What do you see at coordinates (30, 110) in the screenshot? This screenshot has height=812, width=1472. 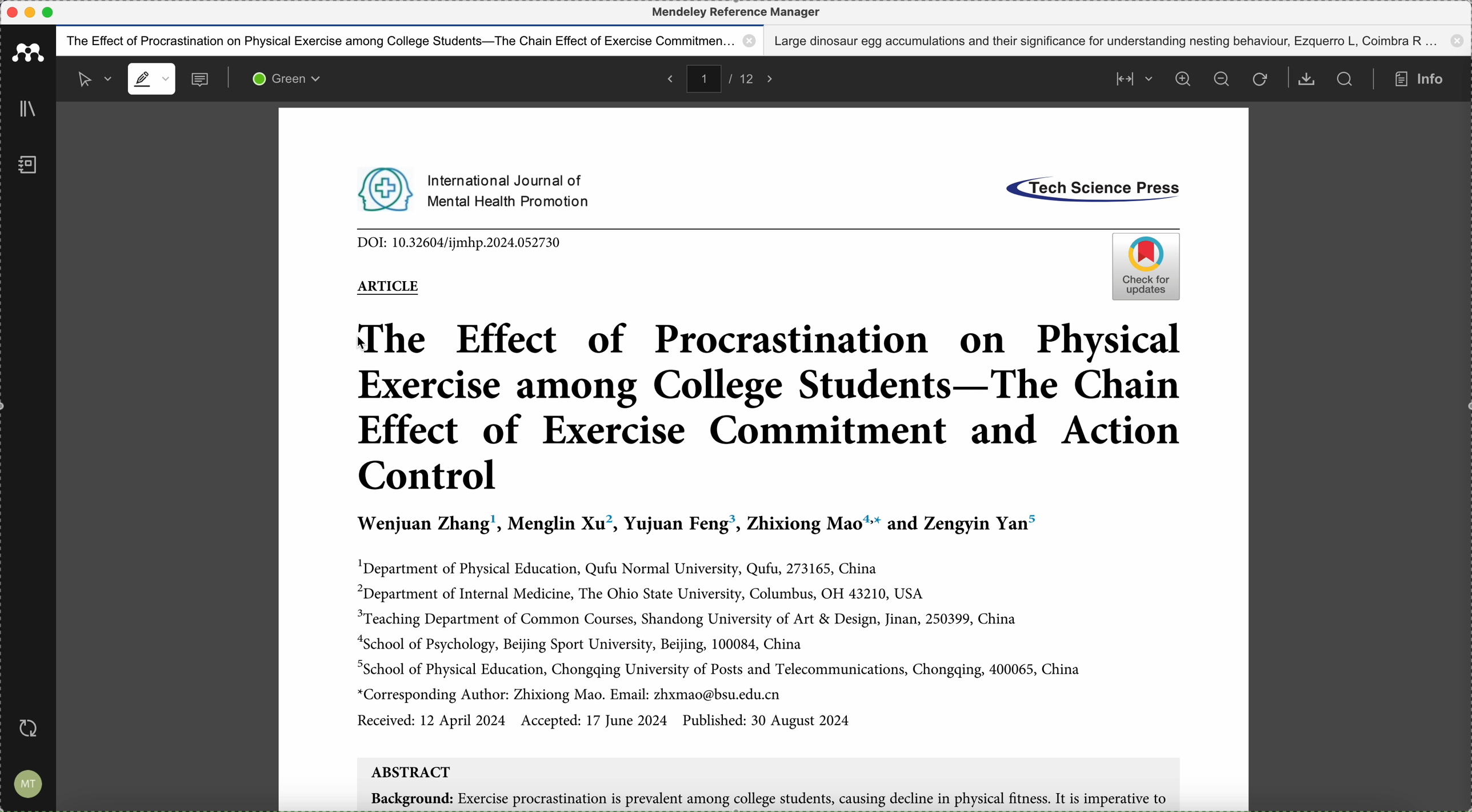 I see `library` at bounding box center [30, 110].